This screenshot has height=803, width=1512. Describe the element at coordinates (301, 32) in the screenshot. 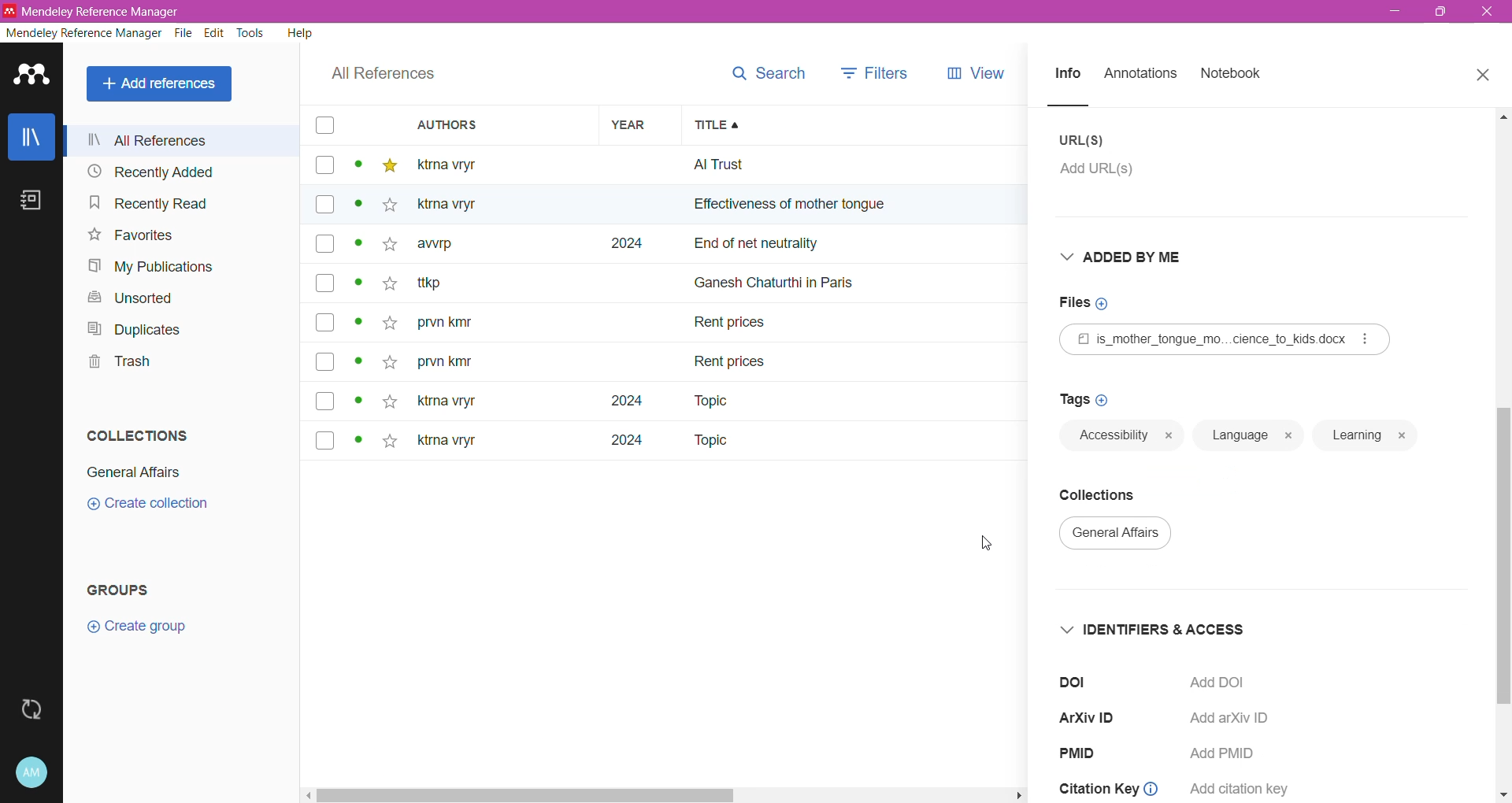

I see `Help` at that location.